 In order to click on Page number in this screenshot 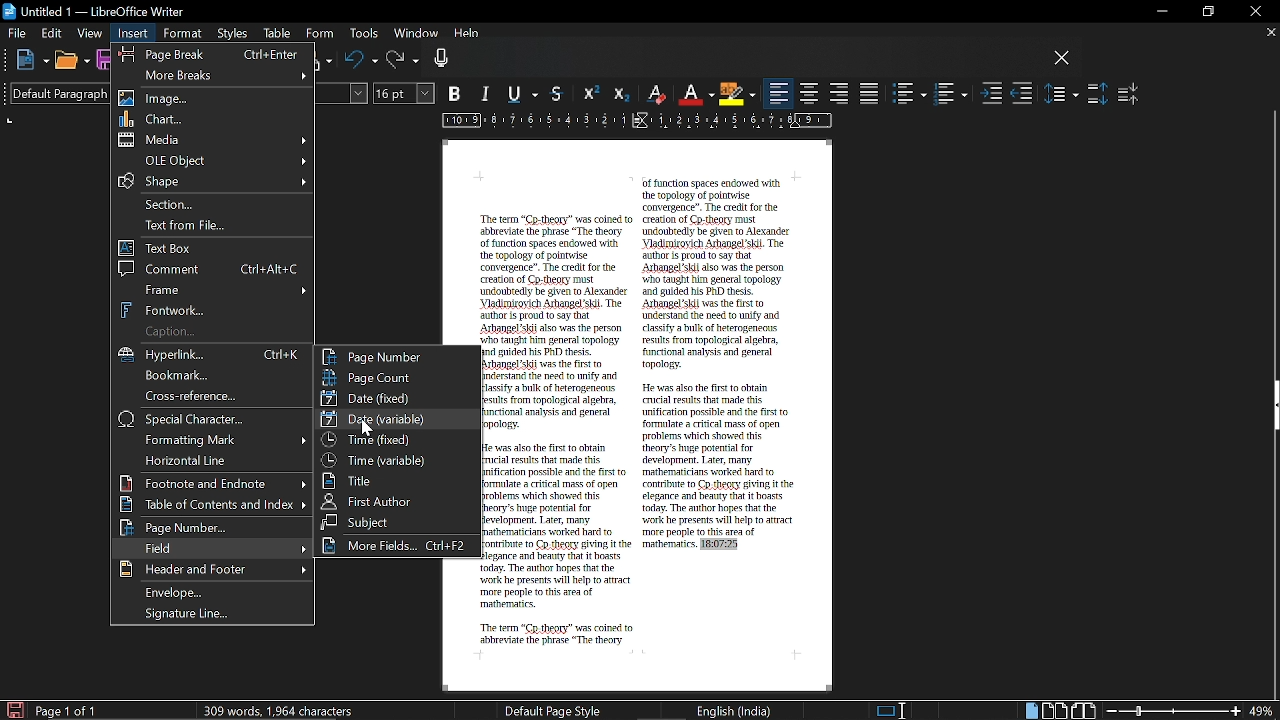, I will do `click(397, 356)`.